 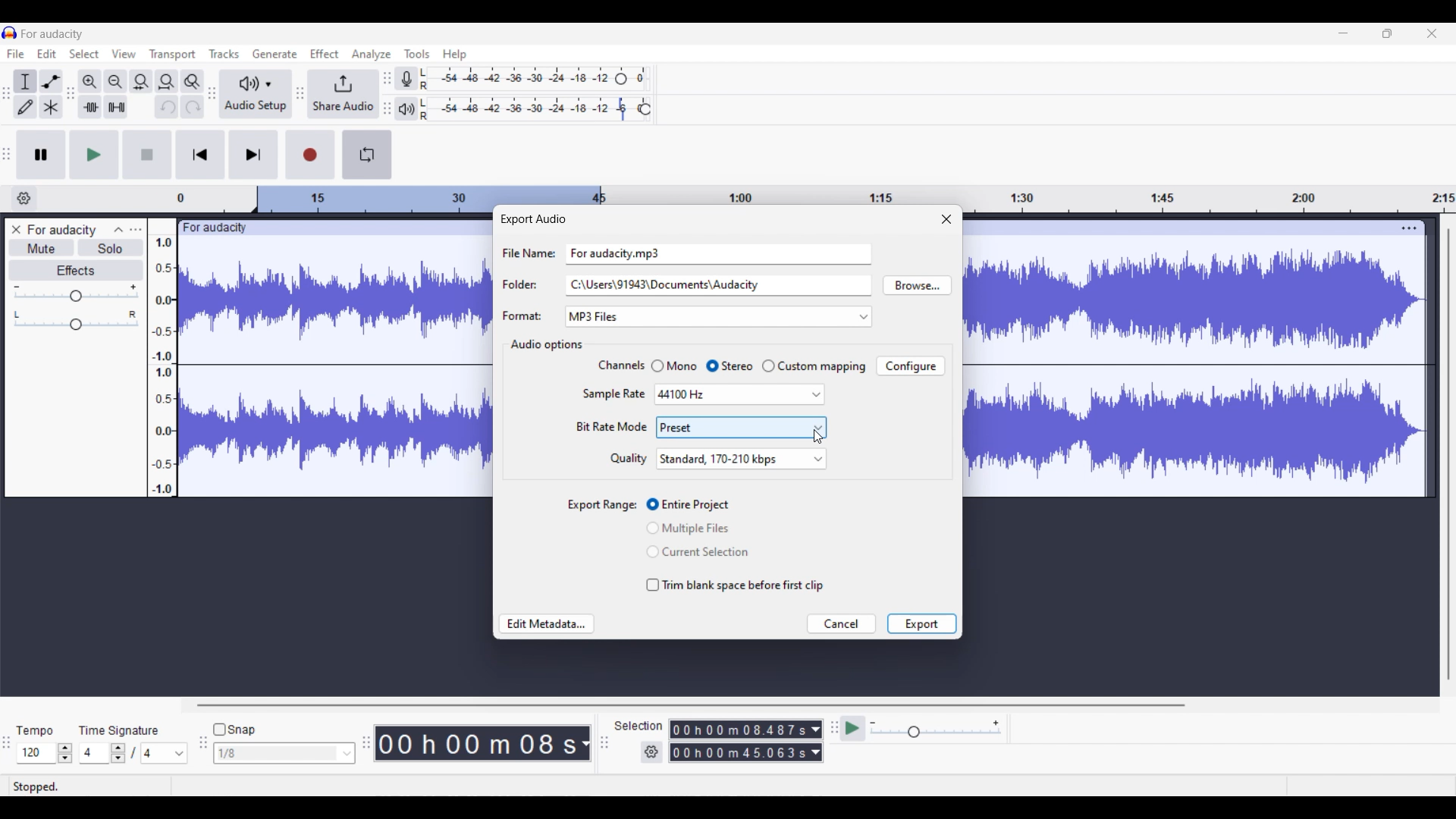 What do you see at coordinates (910, 366) in the screenshot?
I see `Configure` at bounding box center [910, 366].